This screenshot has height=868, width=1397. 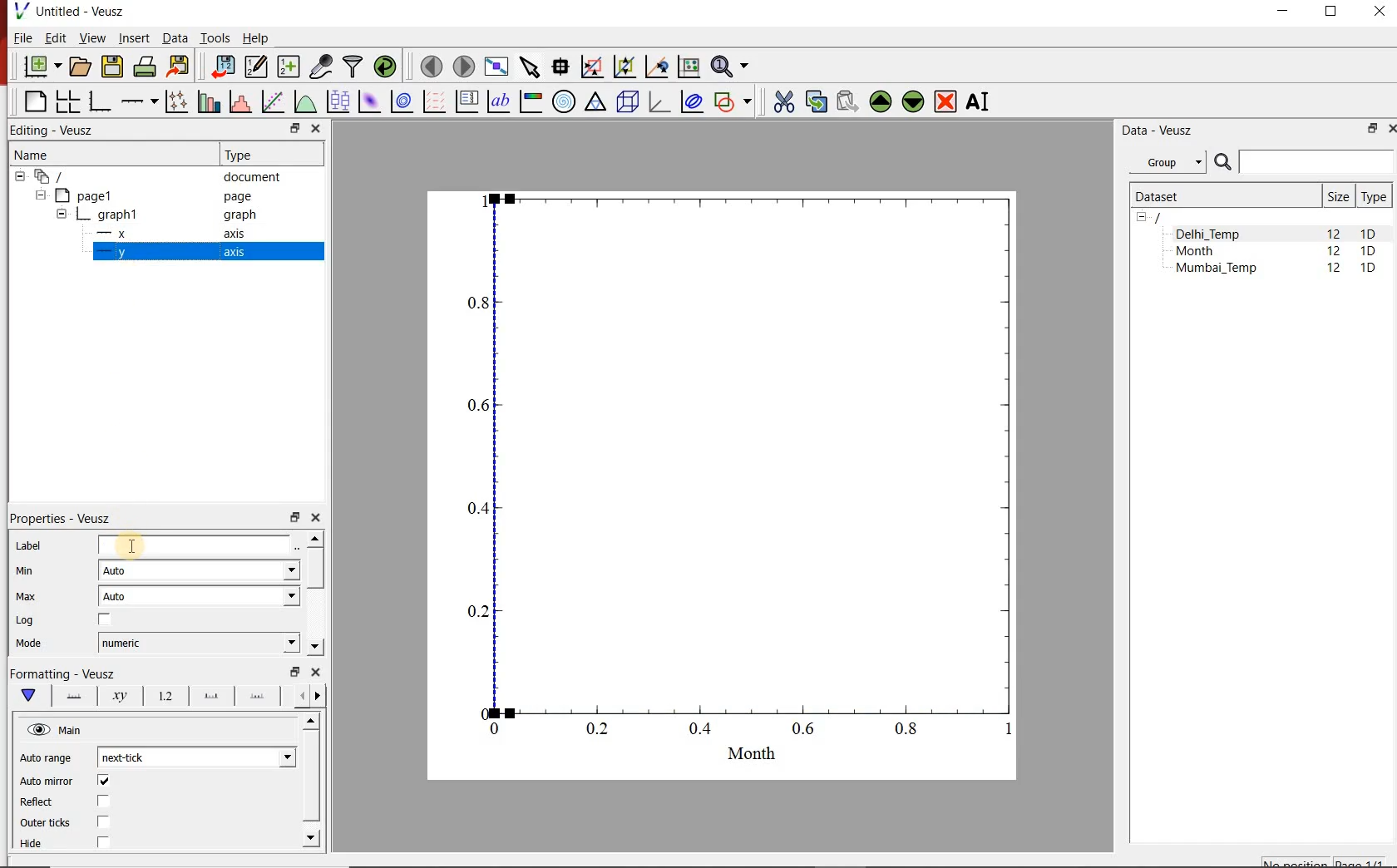 What do you see at coordinates (174, 37) in the screenshot?
I see `Data` at bounding box center [174, 37].